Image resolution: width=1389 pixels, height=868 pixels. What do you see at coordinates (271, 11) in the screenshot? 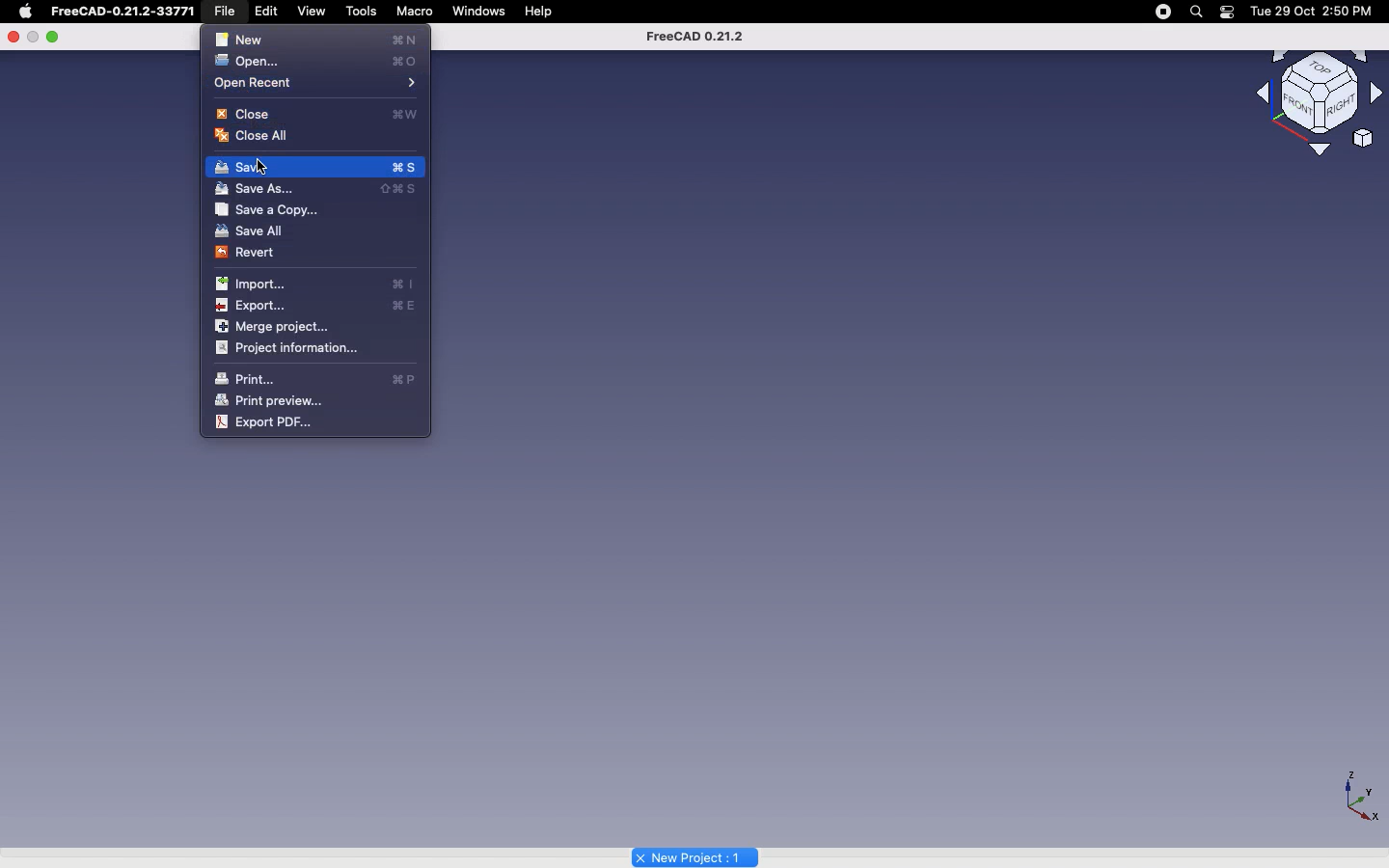
I see `Edit` at bounding box center [271, 11].